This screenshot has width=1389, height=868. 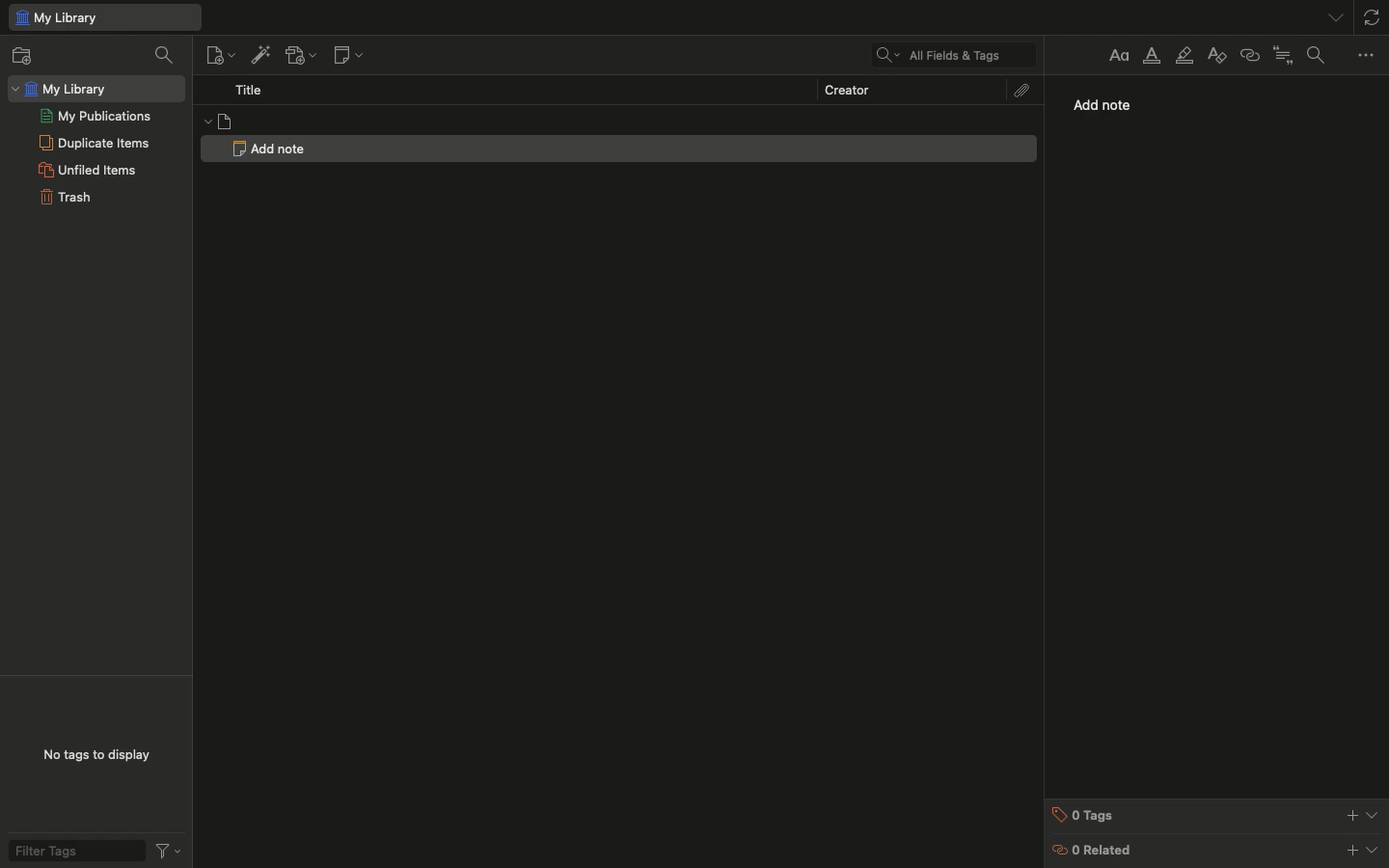 What do you see at coordinates (103, 18) in the screenshot?
I see `My library` at bounding box center [103, 18].